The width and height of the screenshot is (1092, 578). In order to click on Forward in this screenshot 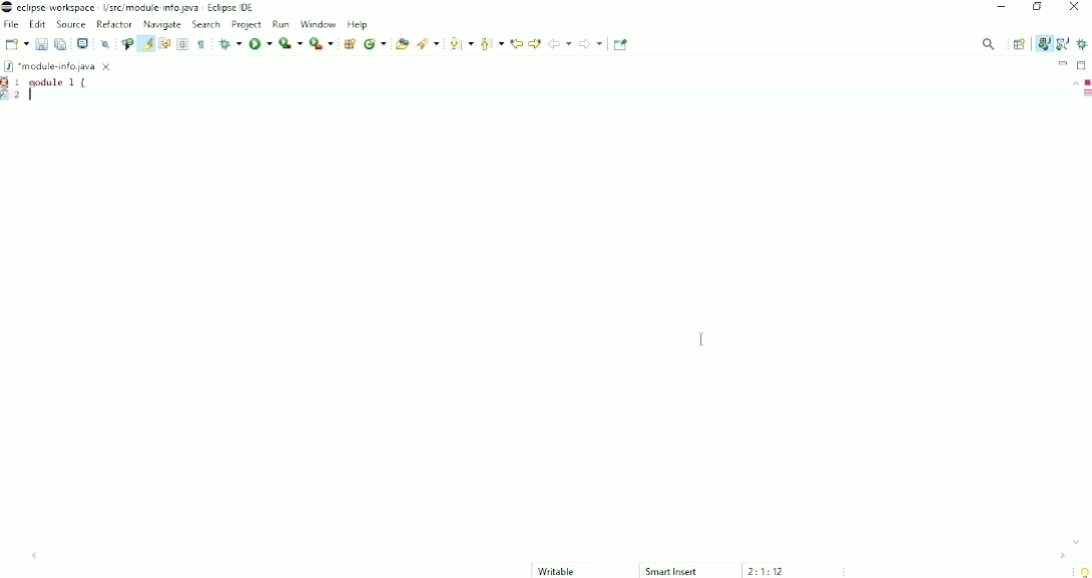, I will do `click(591, 44)`.